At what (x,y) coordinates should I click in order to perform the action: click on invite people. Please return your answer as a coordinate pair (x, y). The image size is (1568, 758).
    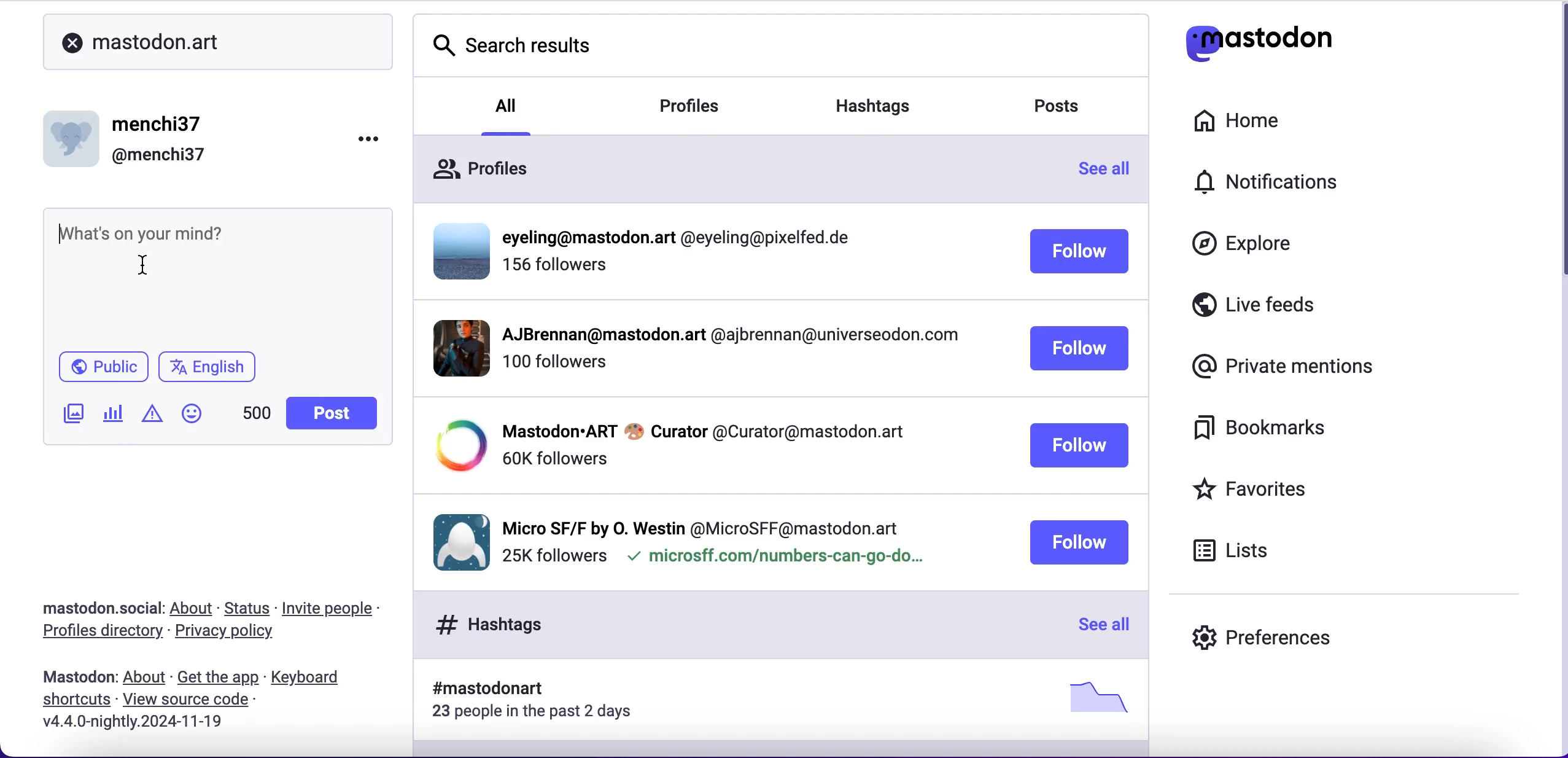
    Looking at the image, I should click on (341, 606).